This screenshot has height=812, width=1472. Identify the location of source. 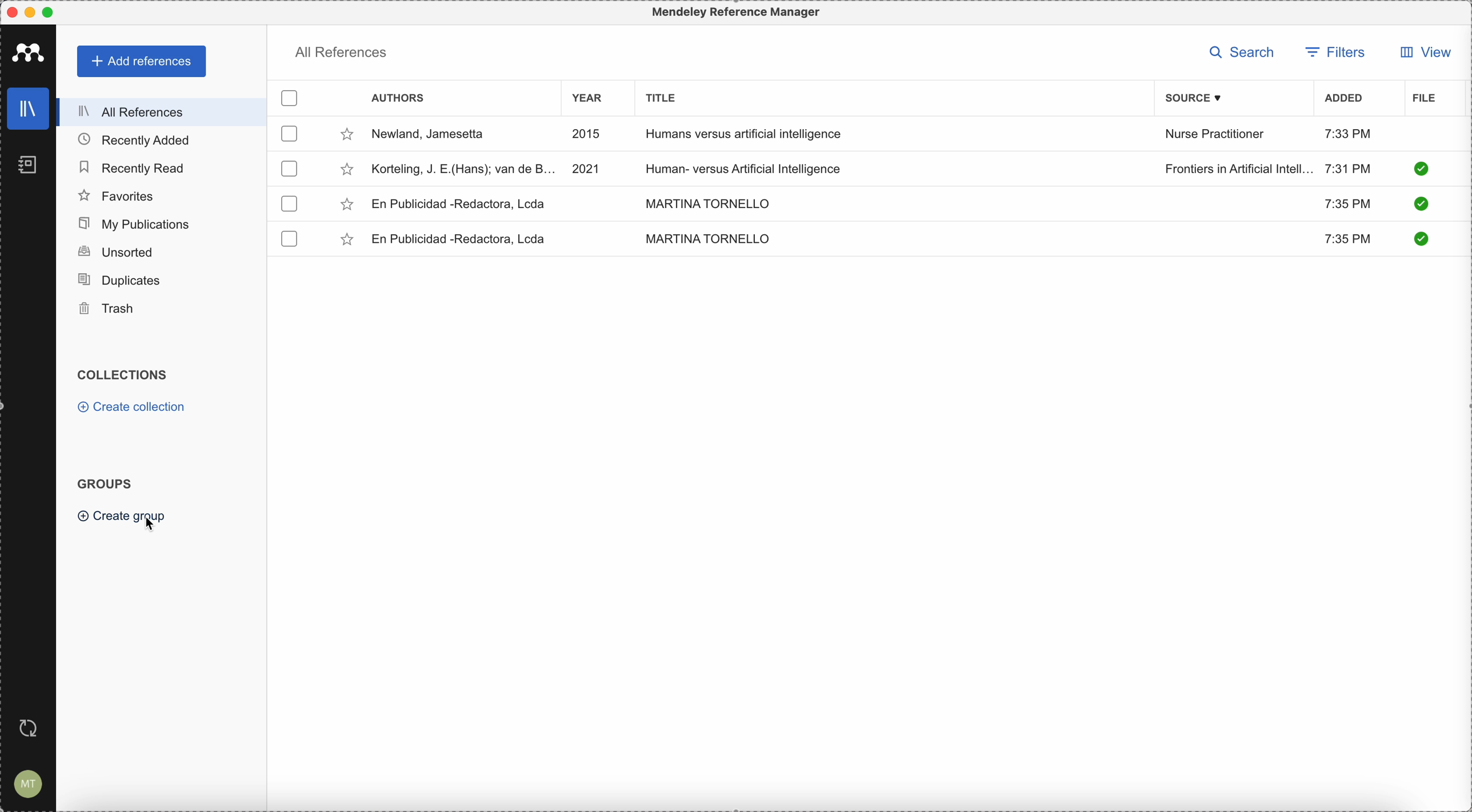
(1202, 98).